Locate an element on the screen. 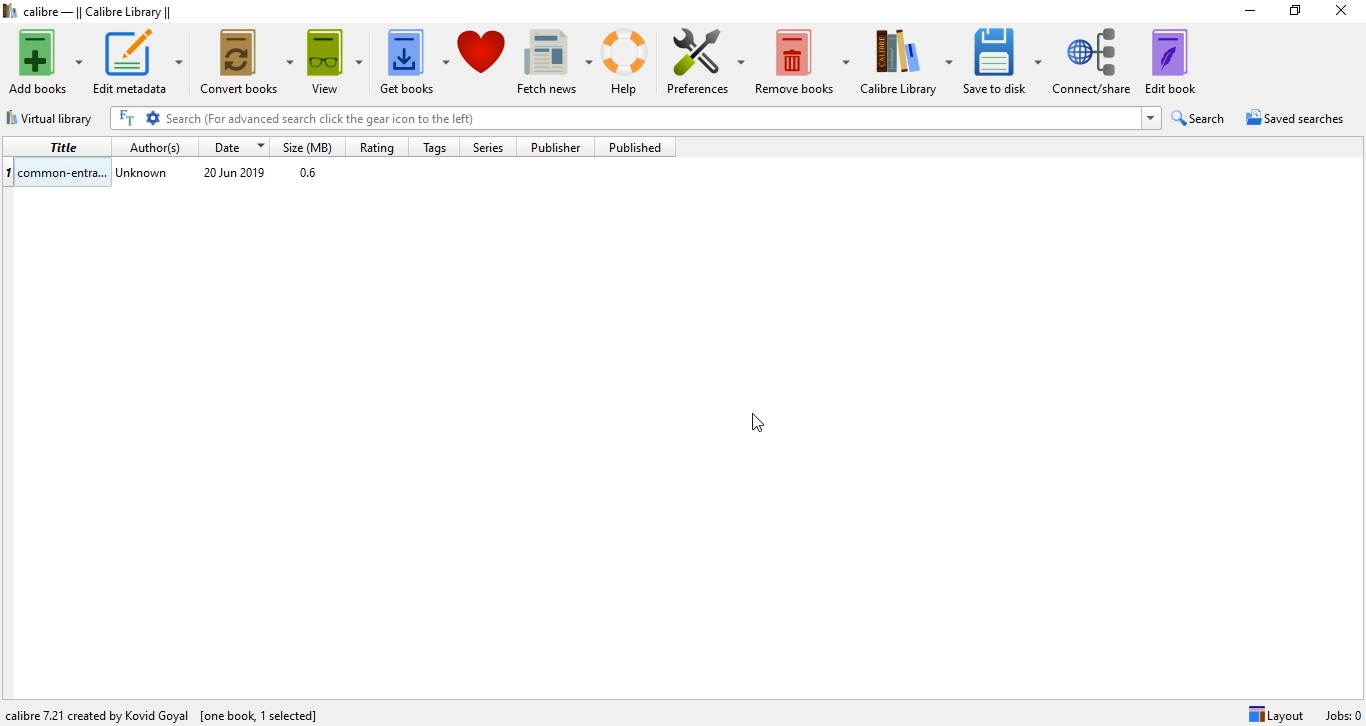  Edit book is located at coordinates (1180, 61).